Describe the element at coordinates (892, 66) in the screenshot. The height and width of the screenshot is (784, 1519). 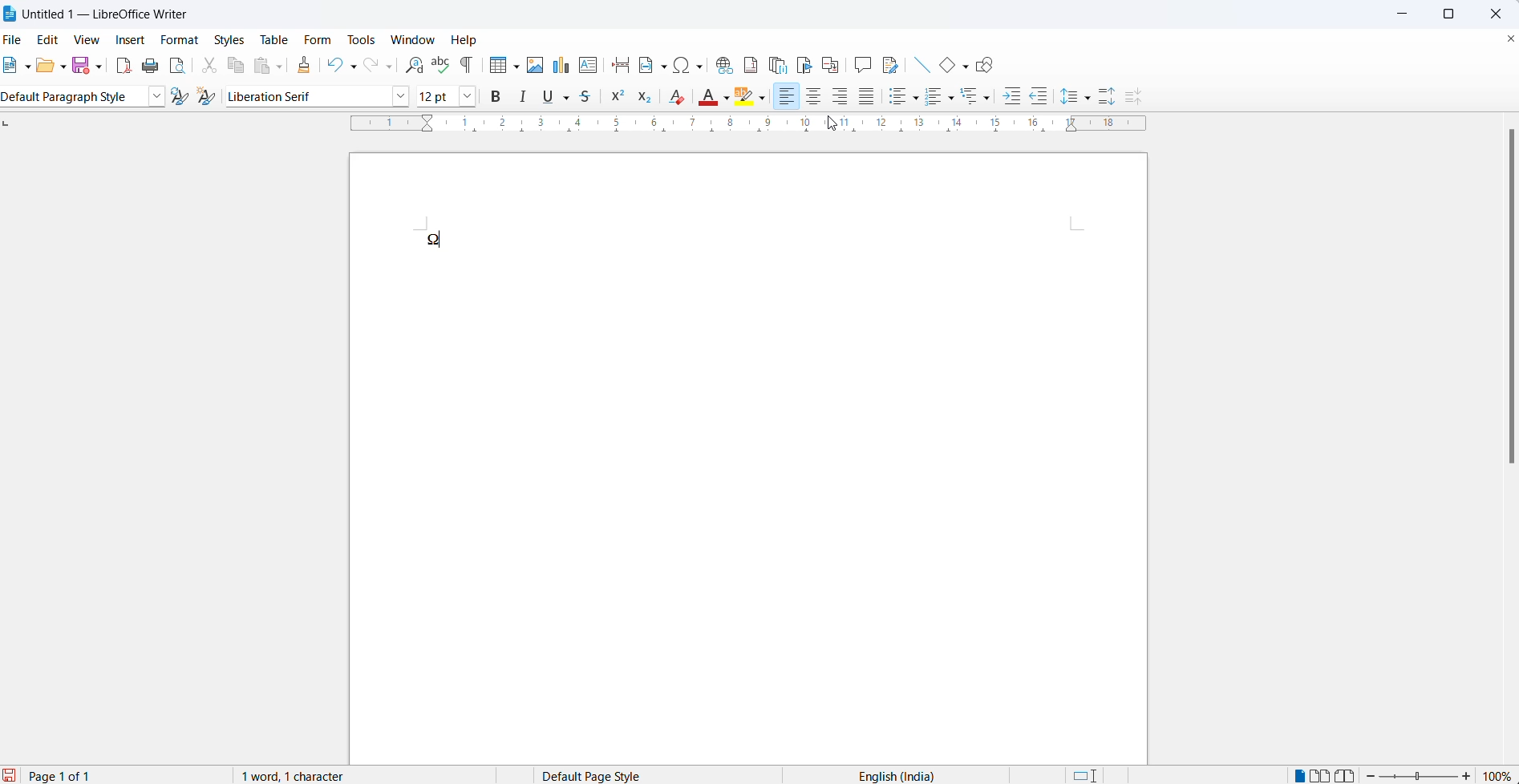
I see `show track changes functions` at that location.